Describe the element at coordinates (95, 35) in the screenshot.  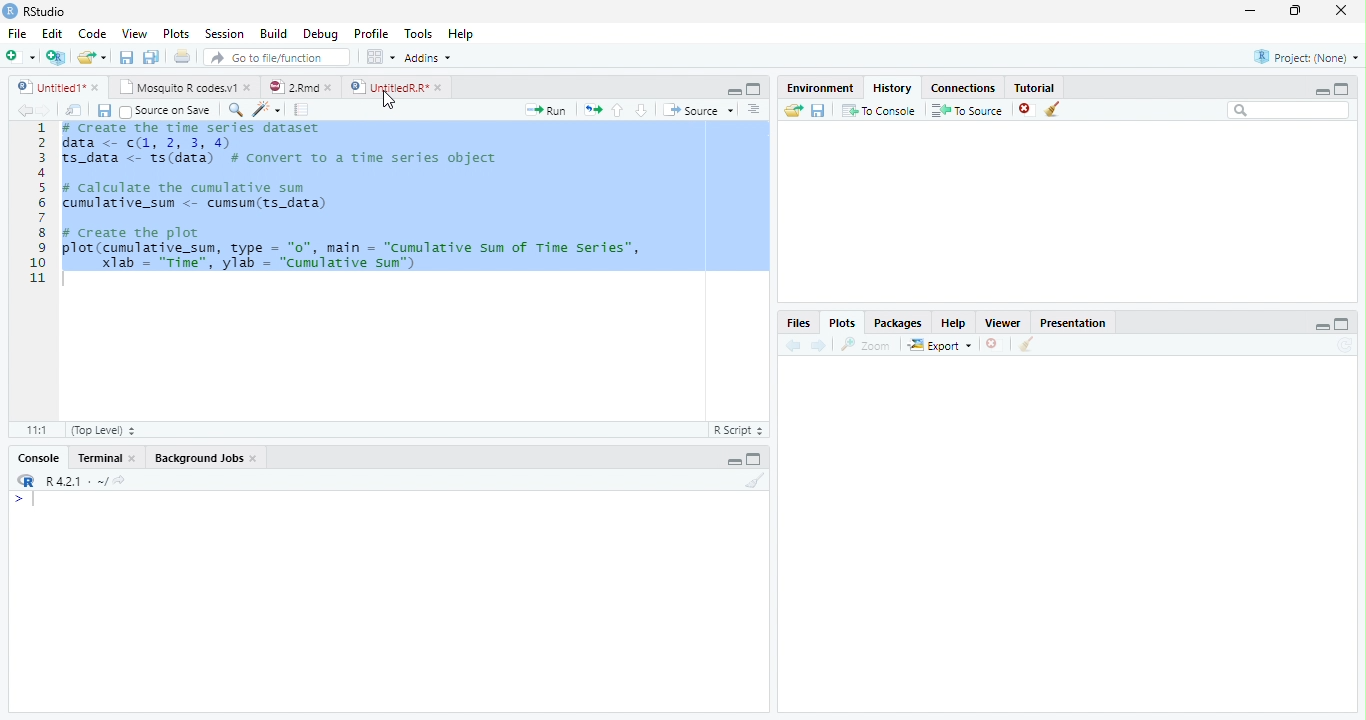
I see `Code` at that location.